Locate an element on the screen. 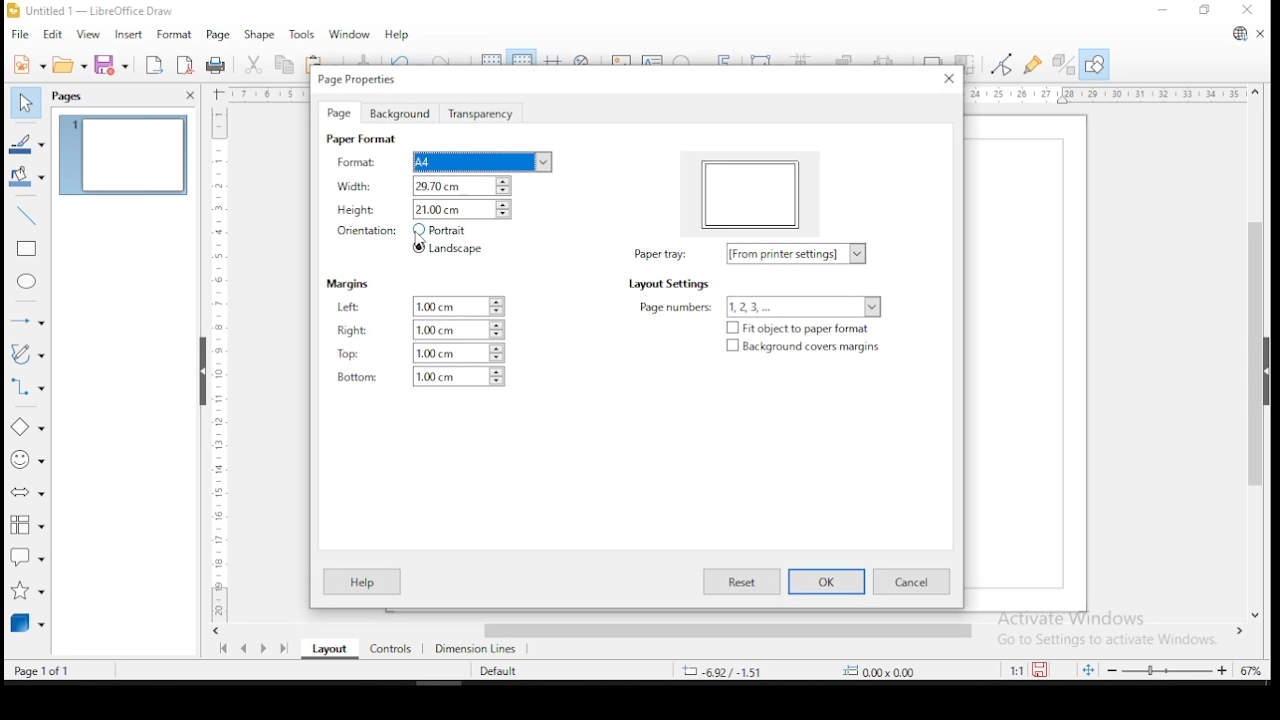 The image size is (1280, 720). page 1 is located at coordinates (121, 156).